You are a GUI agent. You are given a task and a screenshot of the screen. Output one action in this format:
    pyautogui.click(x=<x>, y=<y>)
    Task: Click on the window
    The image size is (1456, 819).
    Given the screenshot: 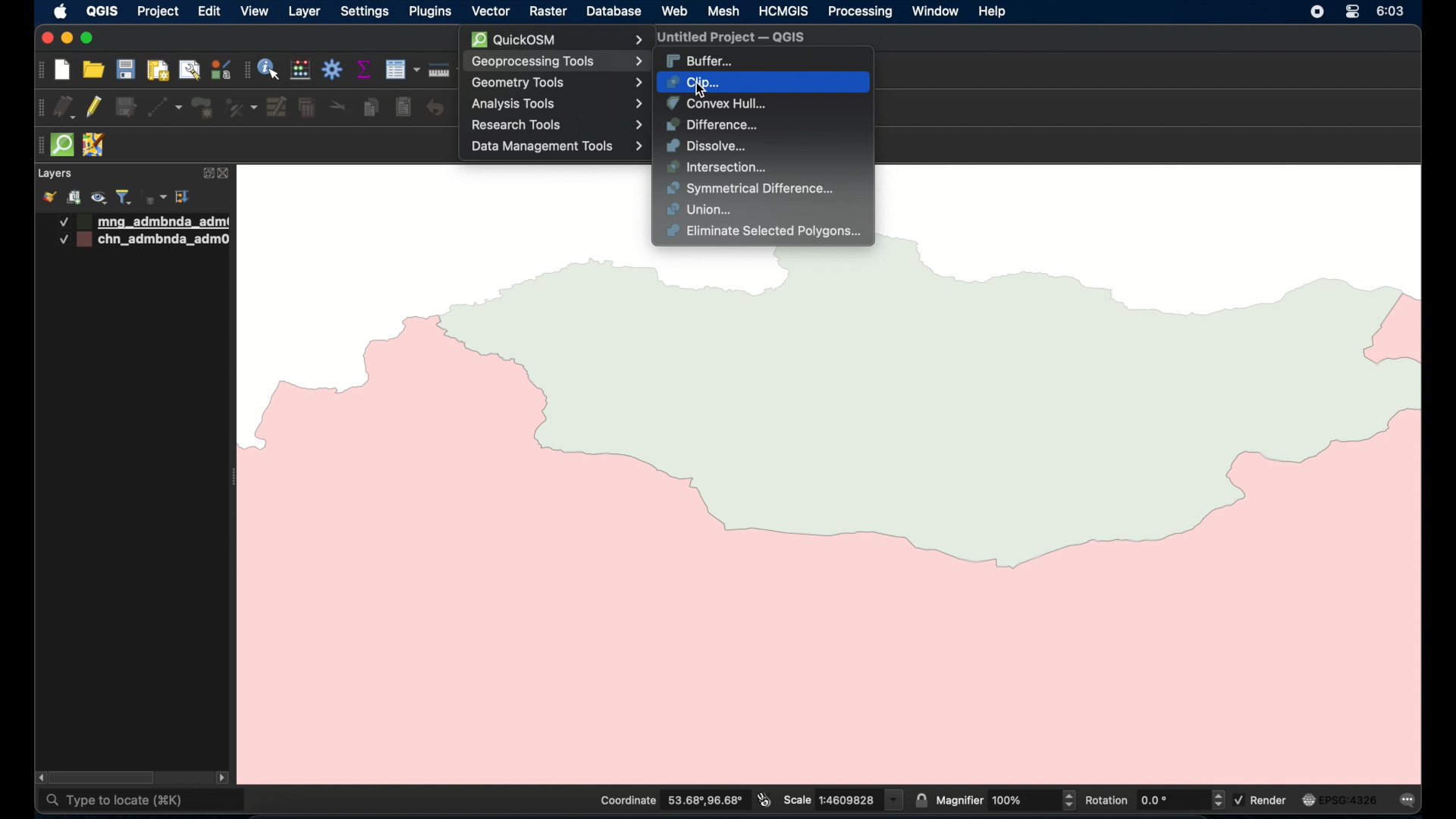 What is the action you would take?
    pyautogui.click(x=937, y=11)
    